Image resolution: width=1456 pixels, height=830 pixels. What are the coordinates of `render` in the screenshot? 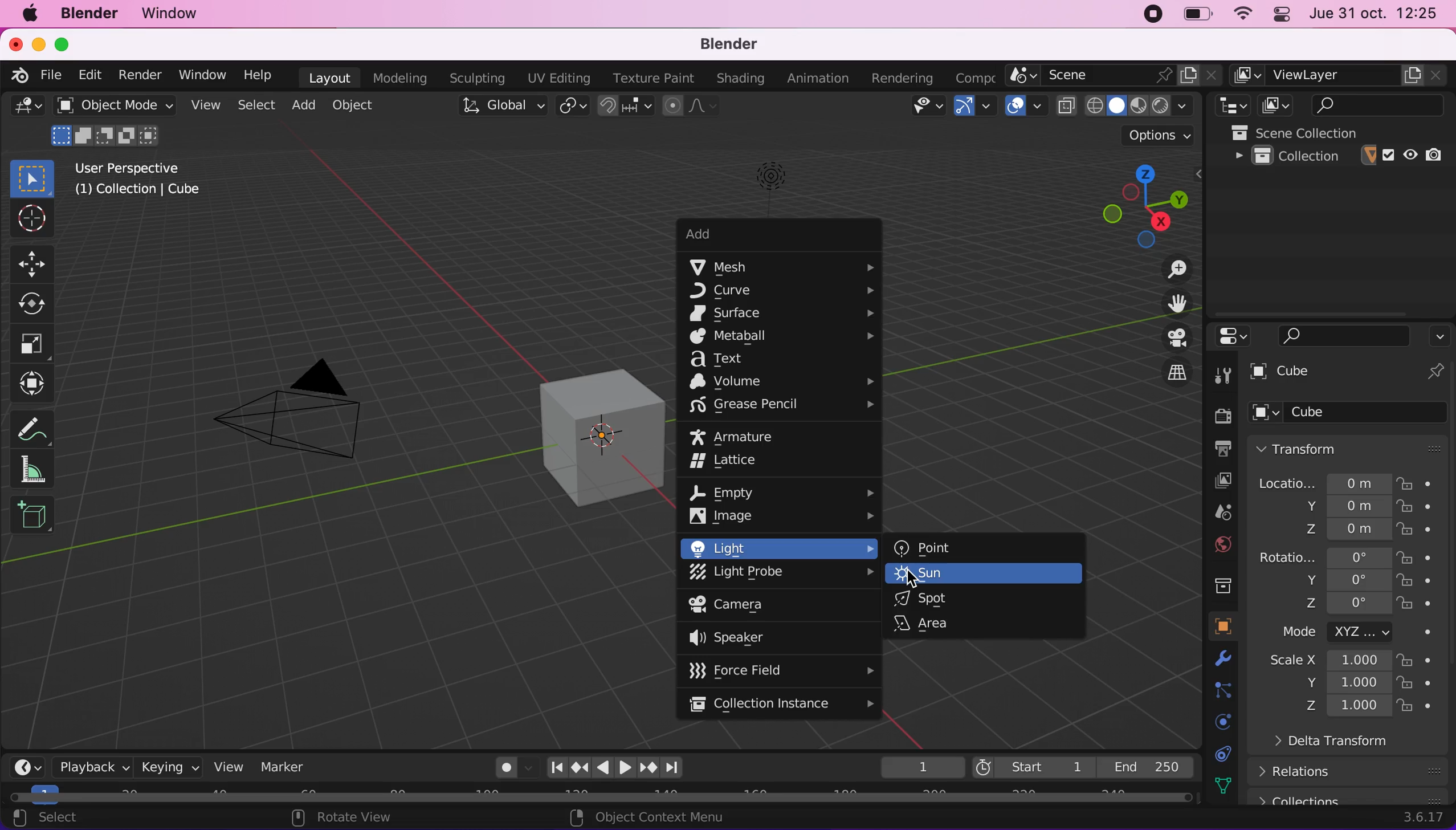 It's located at (138, 75).